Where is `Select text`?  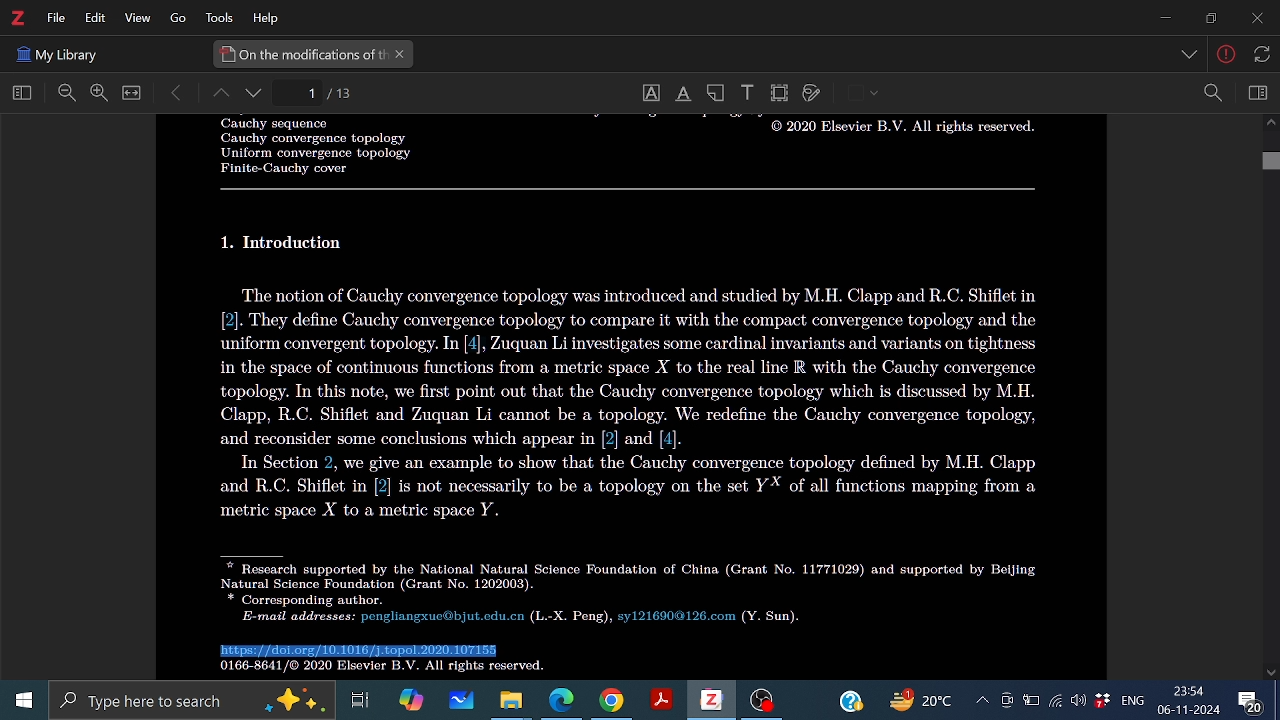 Select text is located at coordinates (650, 93).